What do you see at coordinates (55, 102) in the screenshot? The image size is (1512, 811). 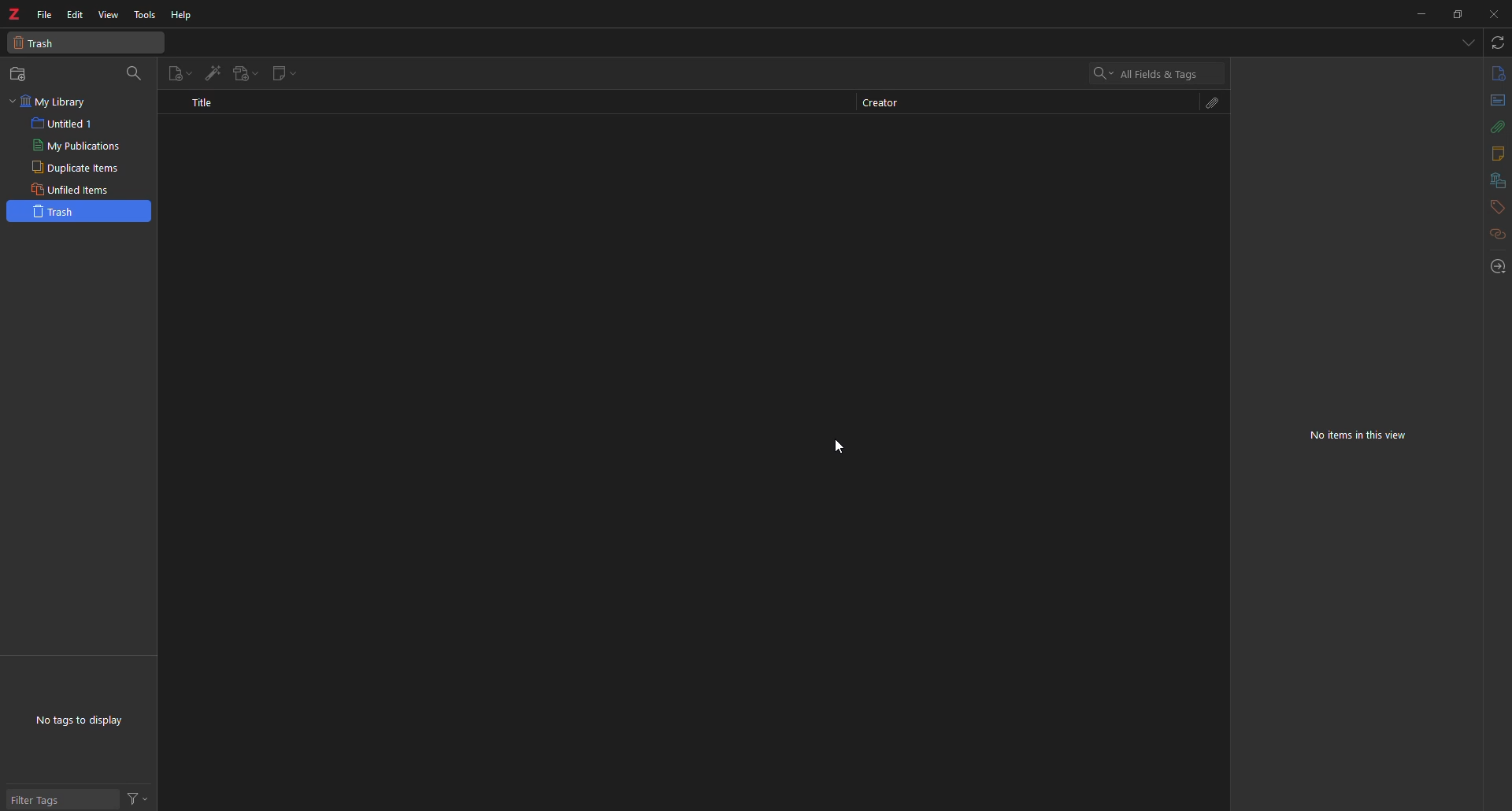 I see `my library` at bounding box center [55, 102].